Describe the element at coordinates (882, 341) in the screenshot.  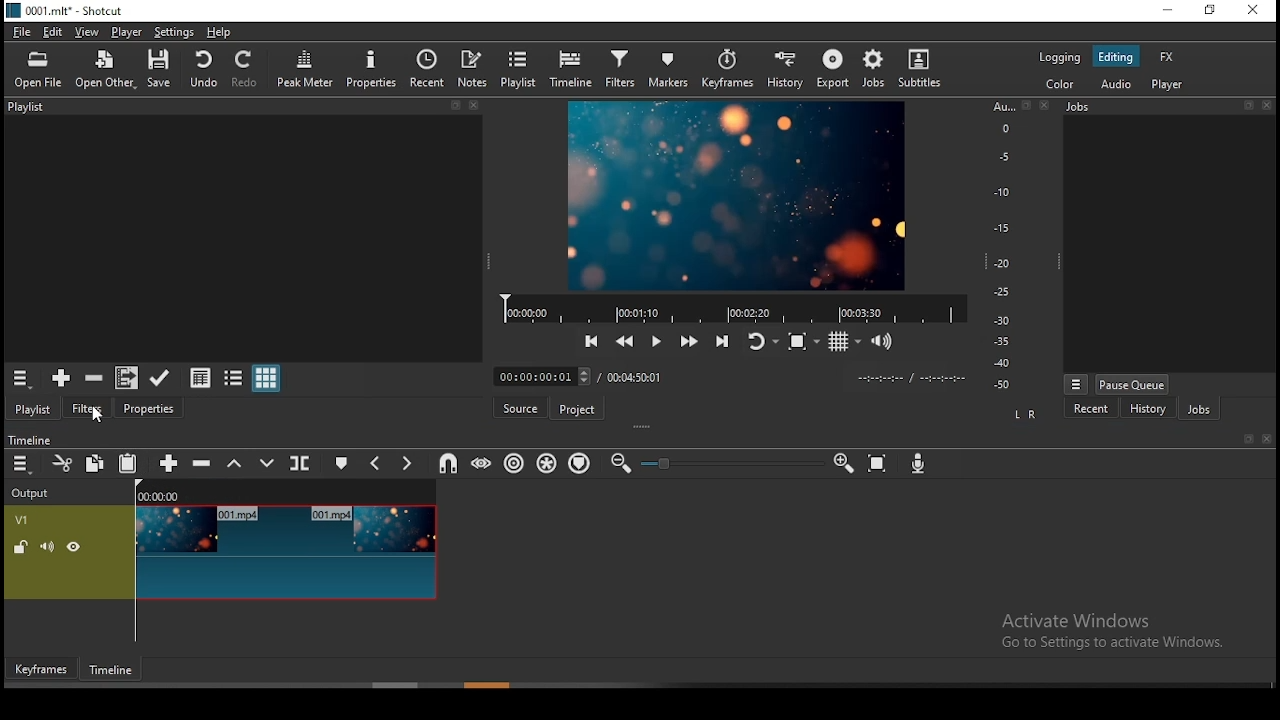
I see `volume control` at that location.